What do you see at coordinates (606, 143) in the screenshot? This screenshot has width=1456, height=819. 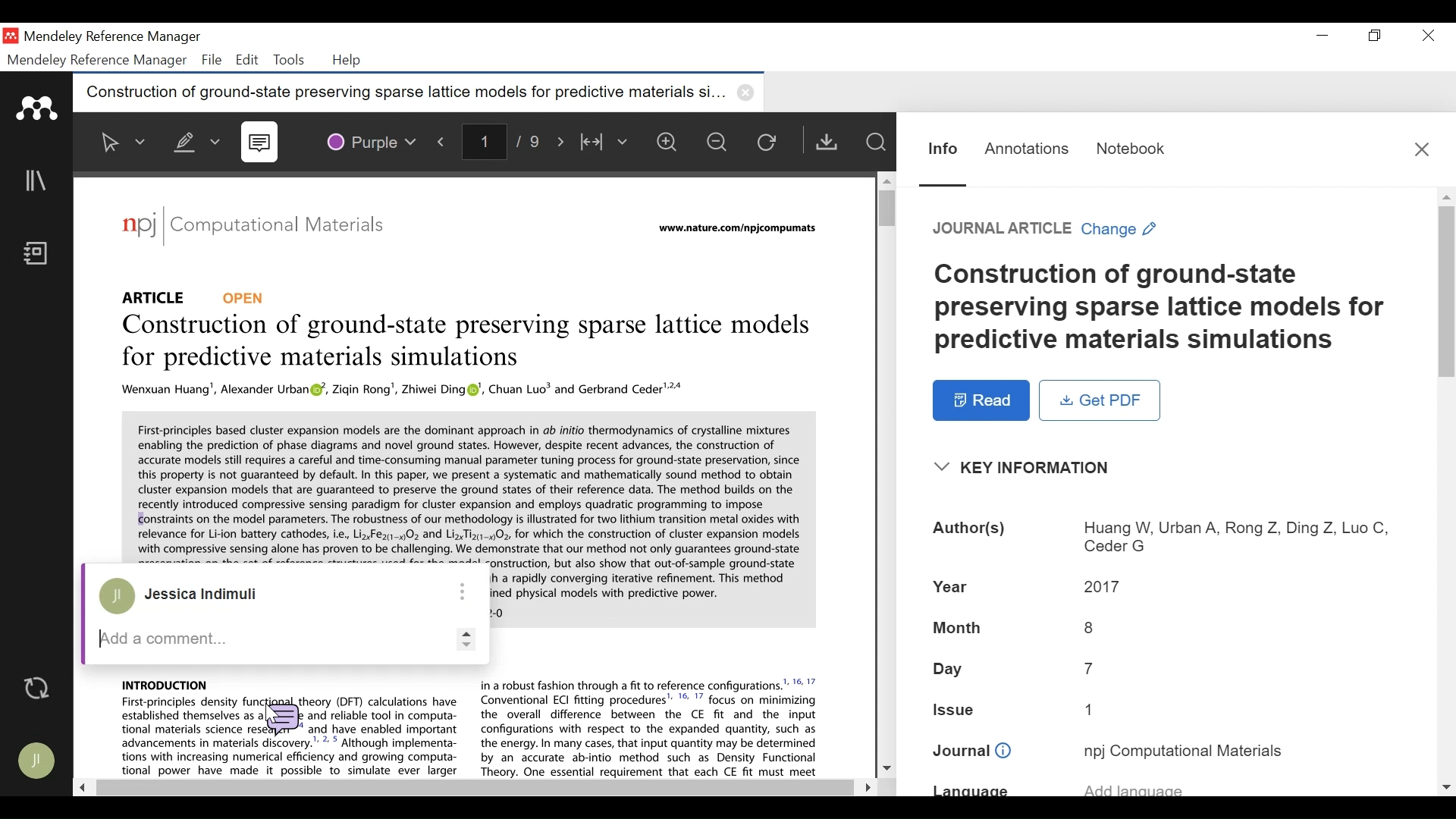 I see `Width to fit` at bounding box center [606, 143].